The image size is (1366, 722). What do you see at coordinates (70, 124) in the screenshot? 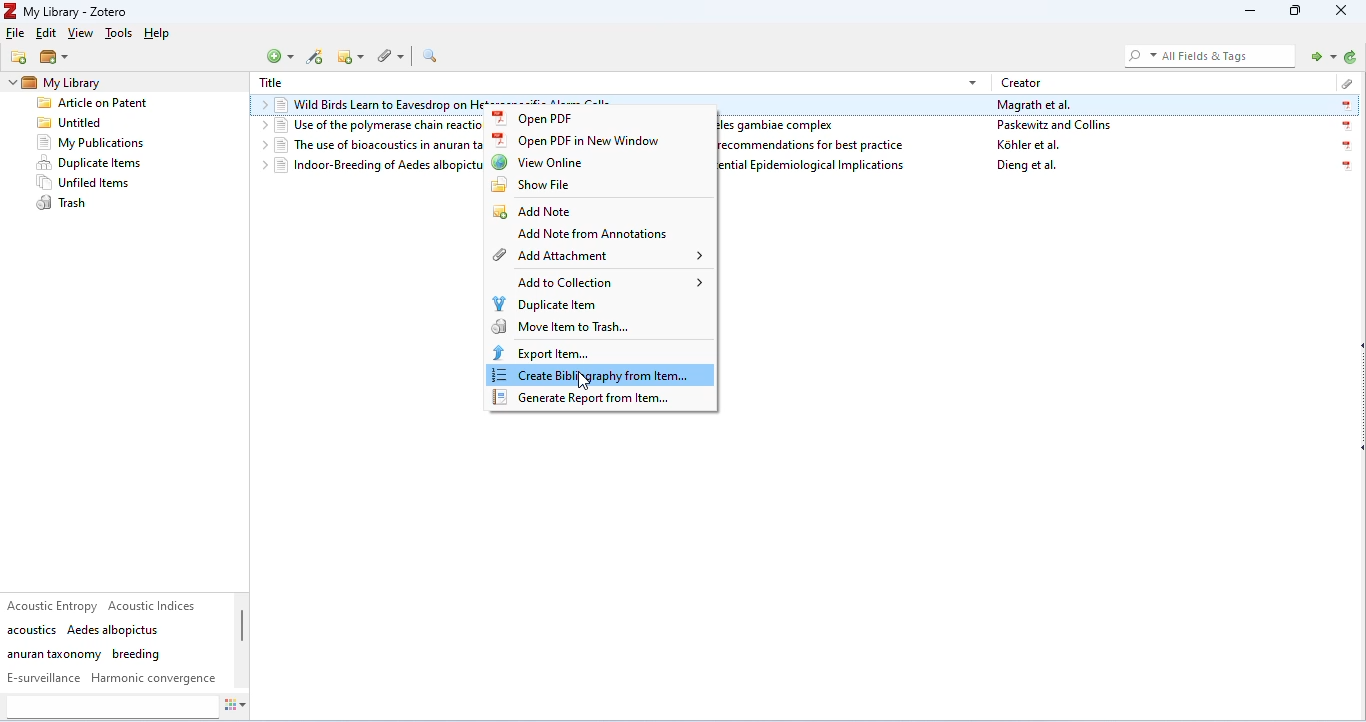
I see `untitled` at bounding box center [70, 124].